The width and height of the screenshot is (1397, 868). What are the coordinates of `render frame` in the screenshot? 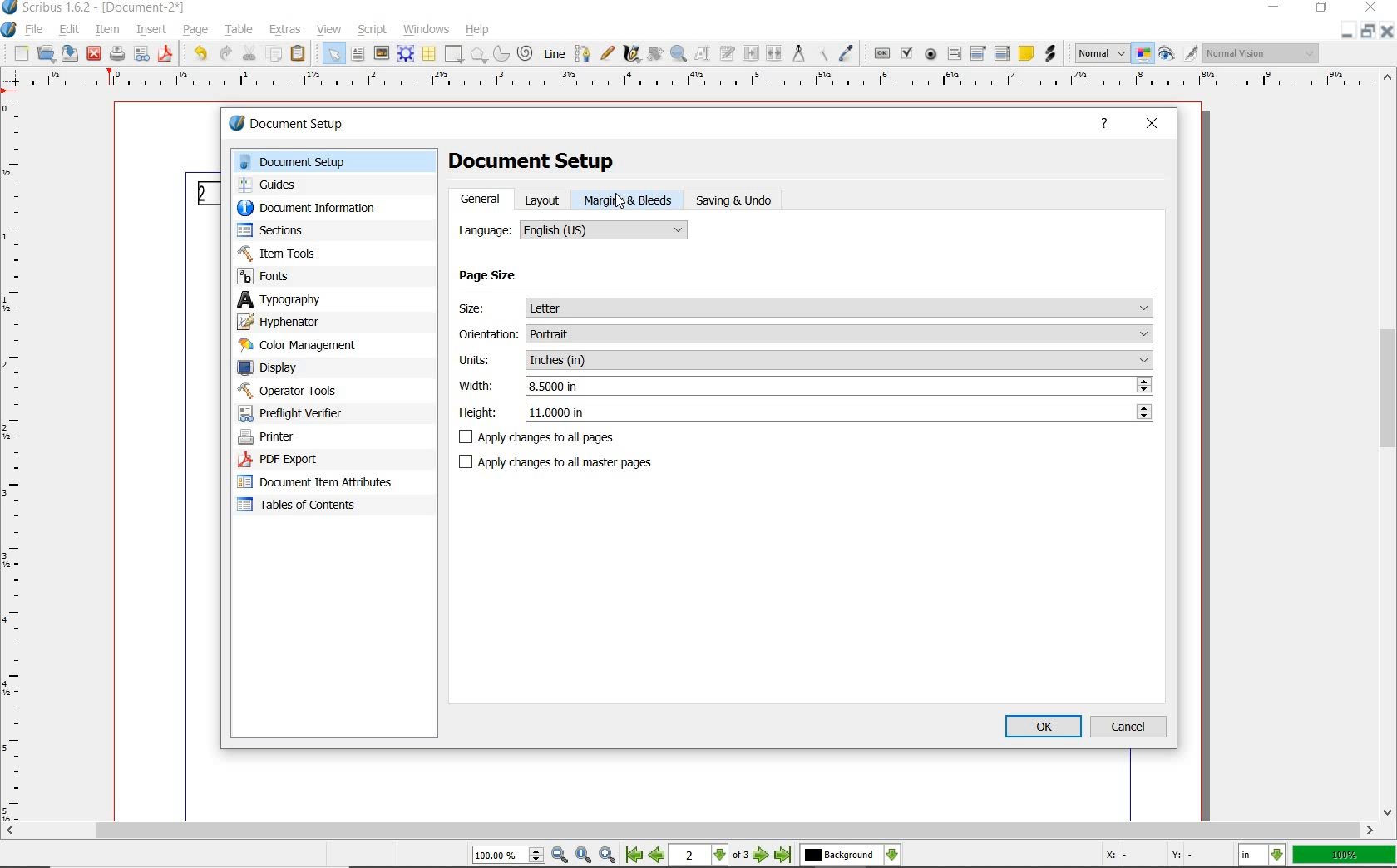 It's located at (406, 52).